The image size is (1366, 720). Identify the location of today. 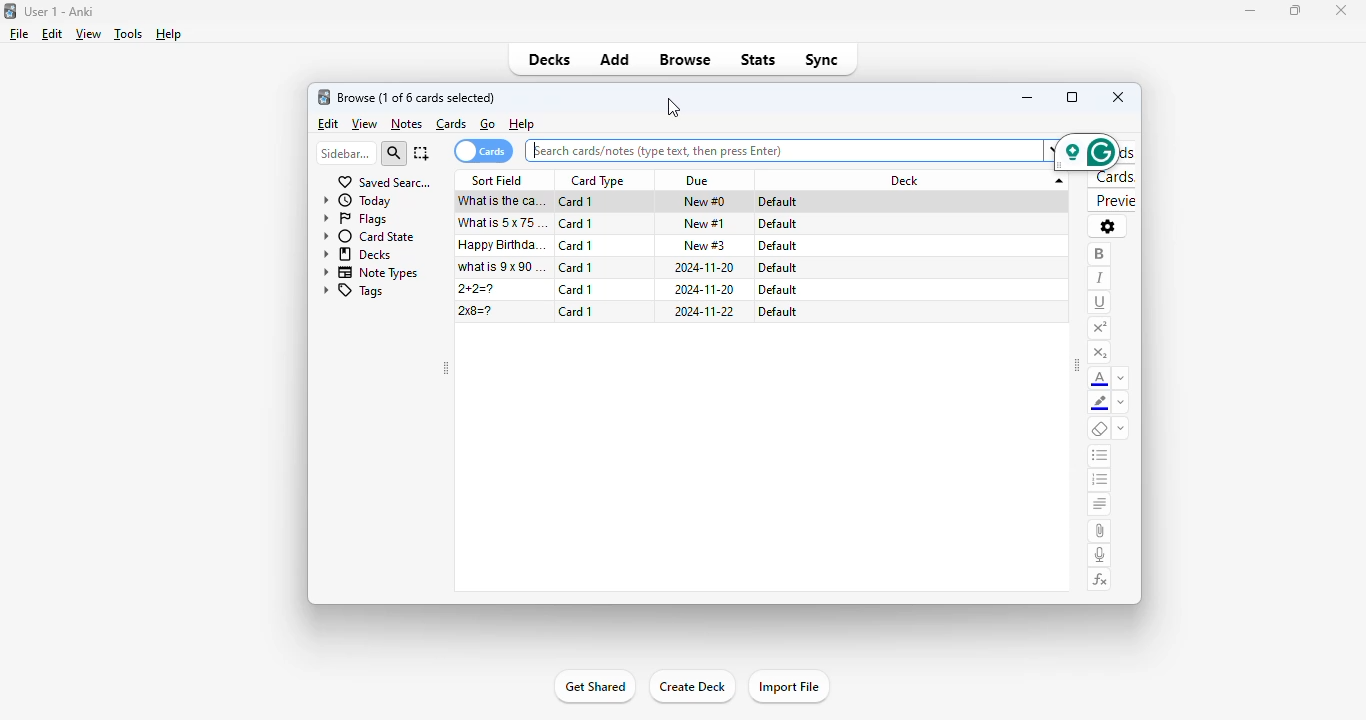
(359, 201).